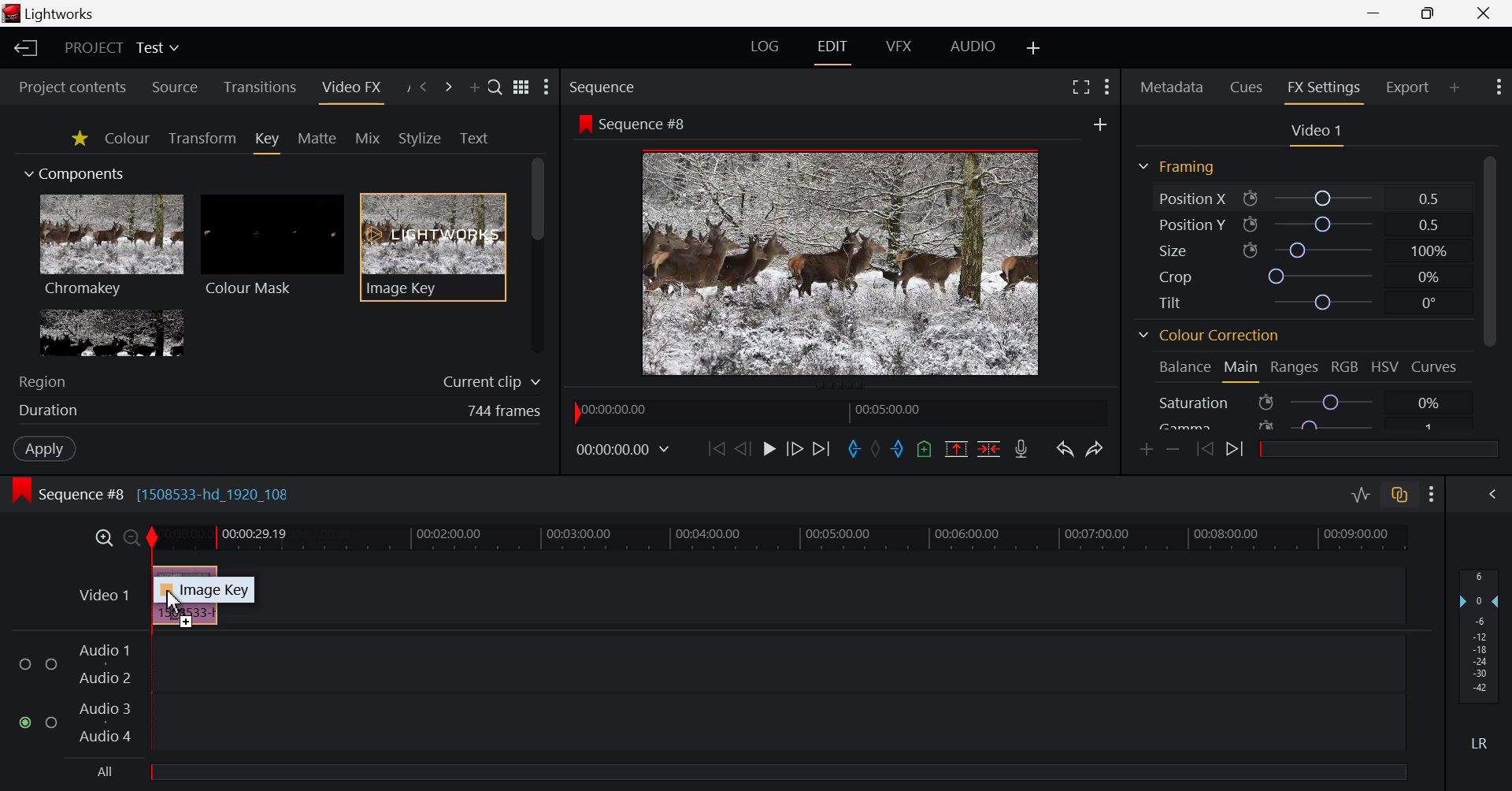 The height and width of the screenshot is (791, 1512). Describe the element at coordinates (1249, 225) in the screenshot. I see `icon` at that location.